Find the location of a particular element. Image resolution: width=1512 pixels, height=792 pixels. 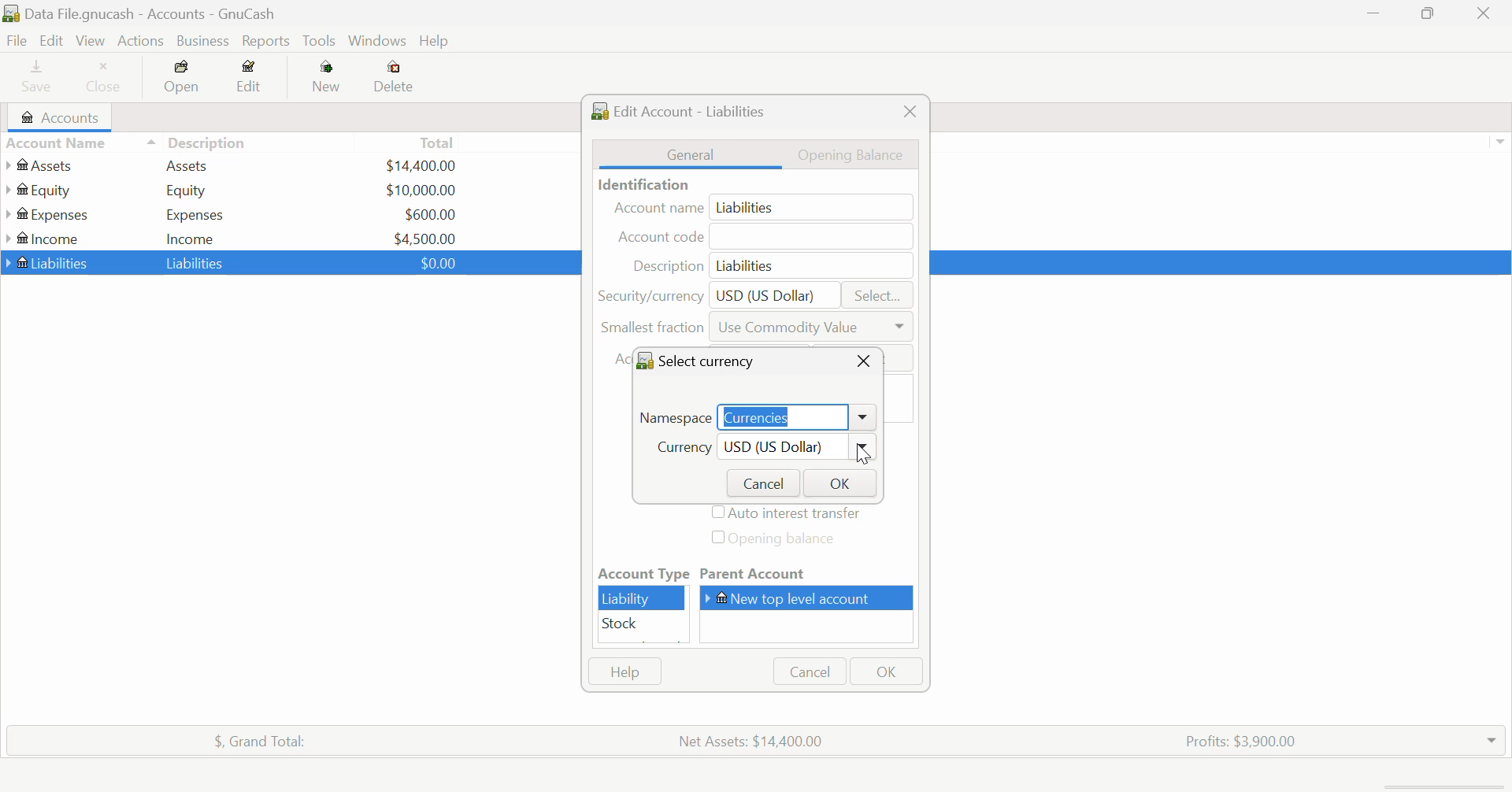

Account code is located at coordinates (767, 238).